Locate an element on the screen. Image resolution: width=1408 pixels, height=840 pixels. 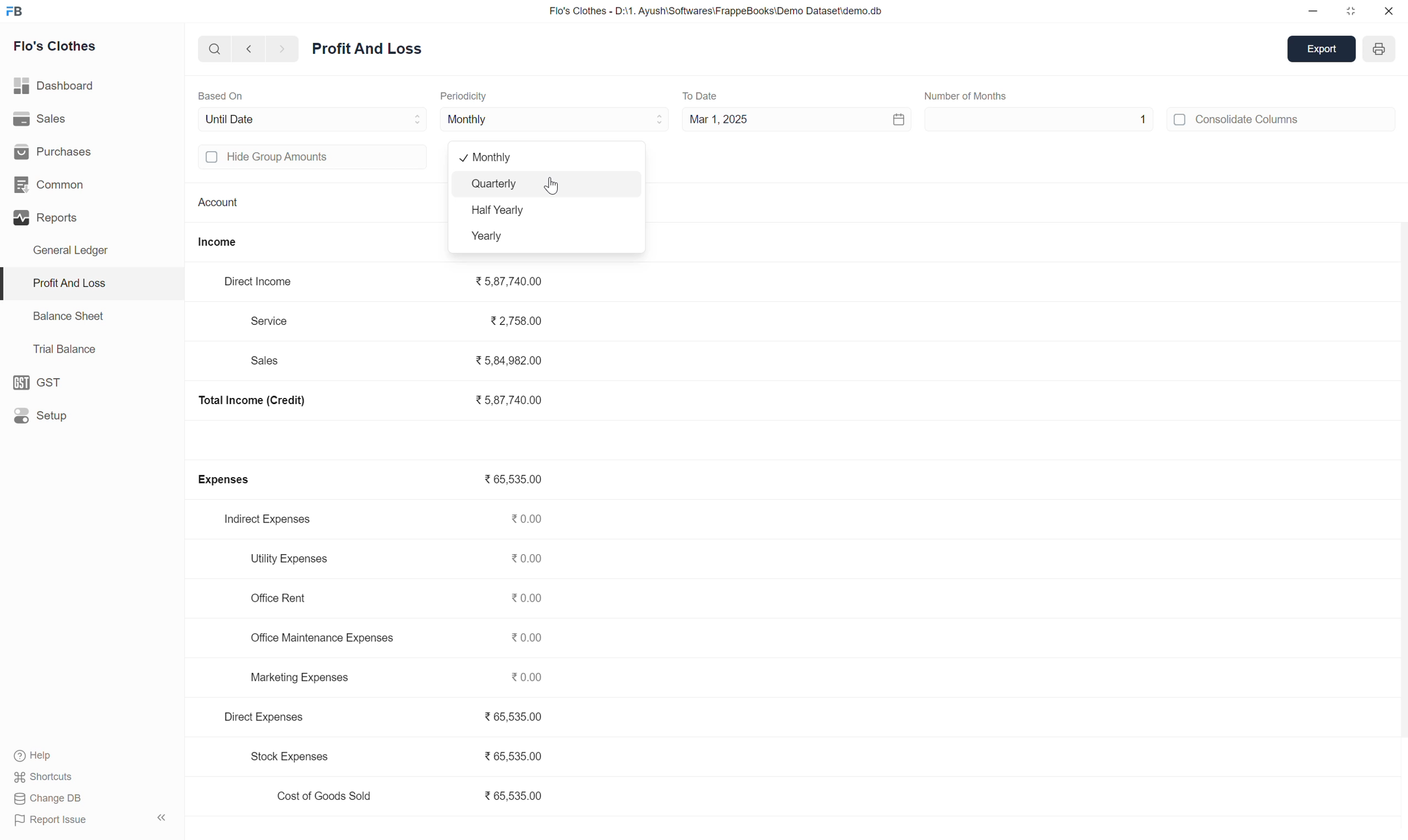
₹0.00 is located at coordinates (529, 559).